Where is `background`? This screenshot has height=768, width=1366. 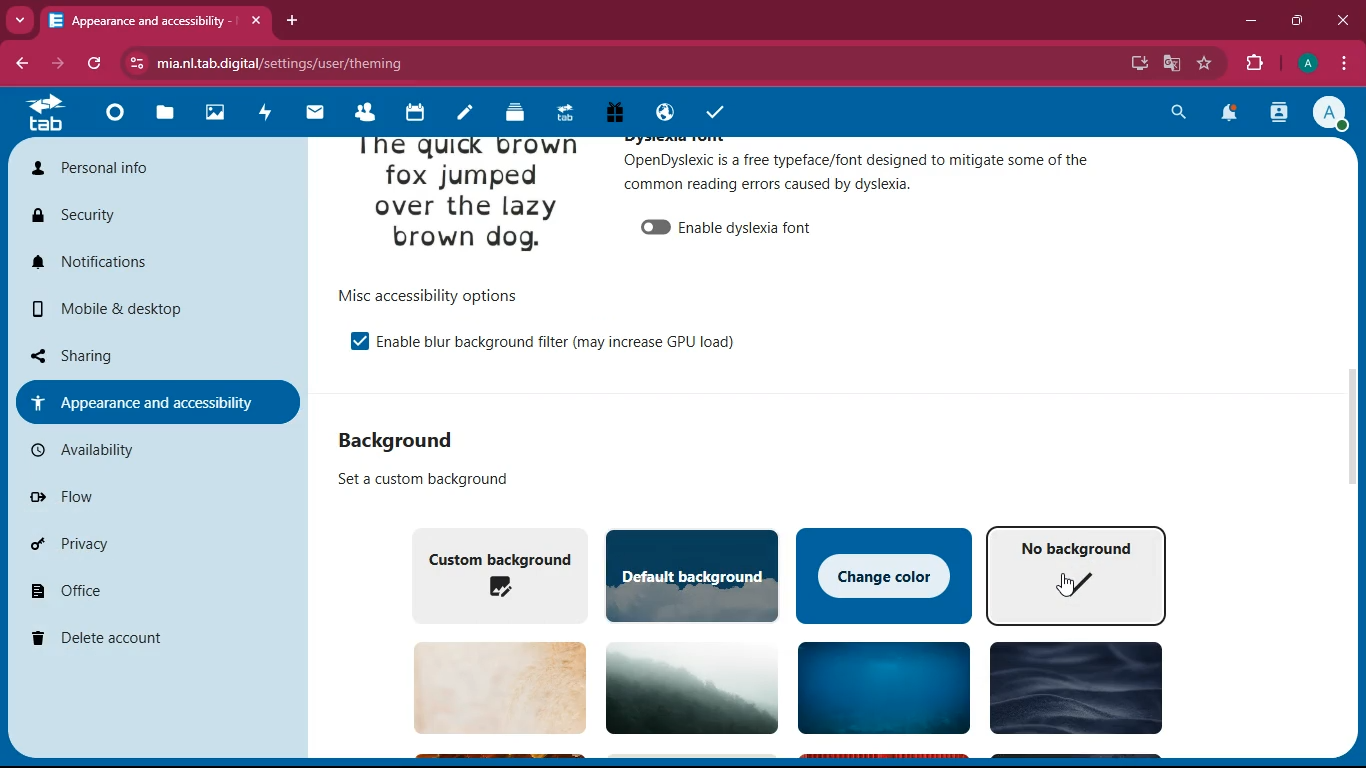
background is located at coordinates (489, 688).